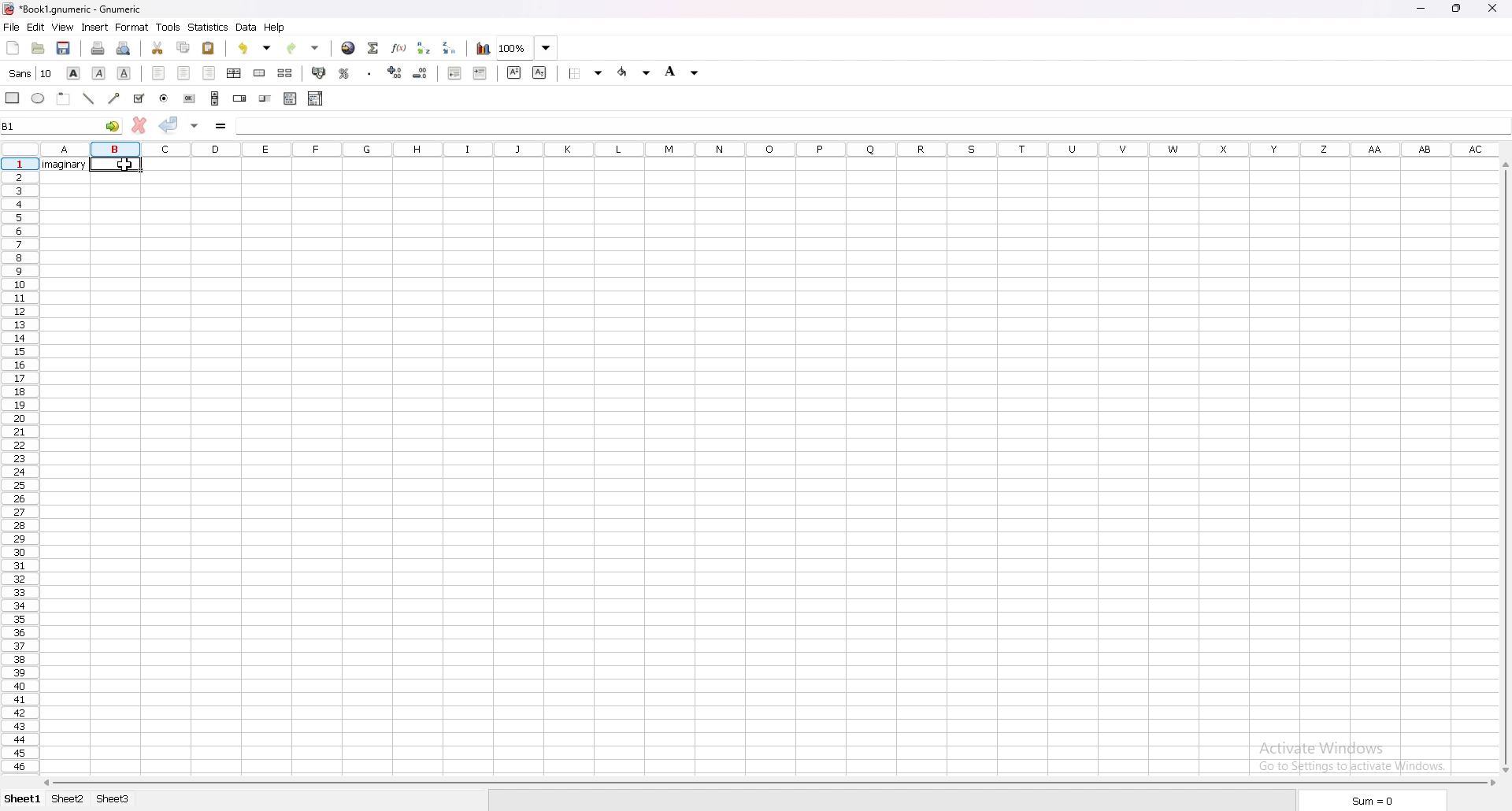  Describe the element at coordinates (16, 463) in the screenshot. I see `rows` at that location.